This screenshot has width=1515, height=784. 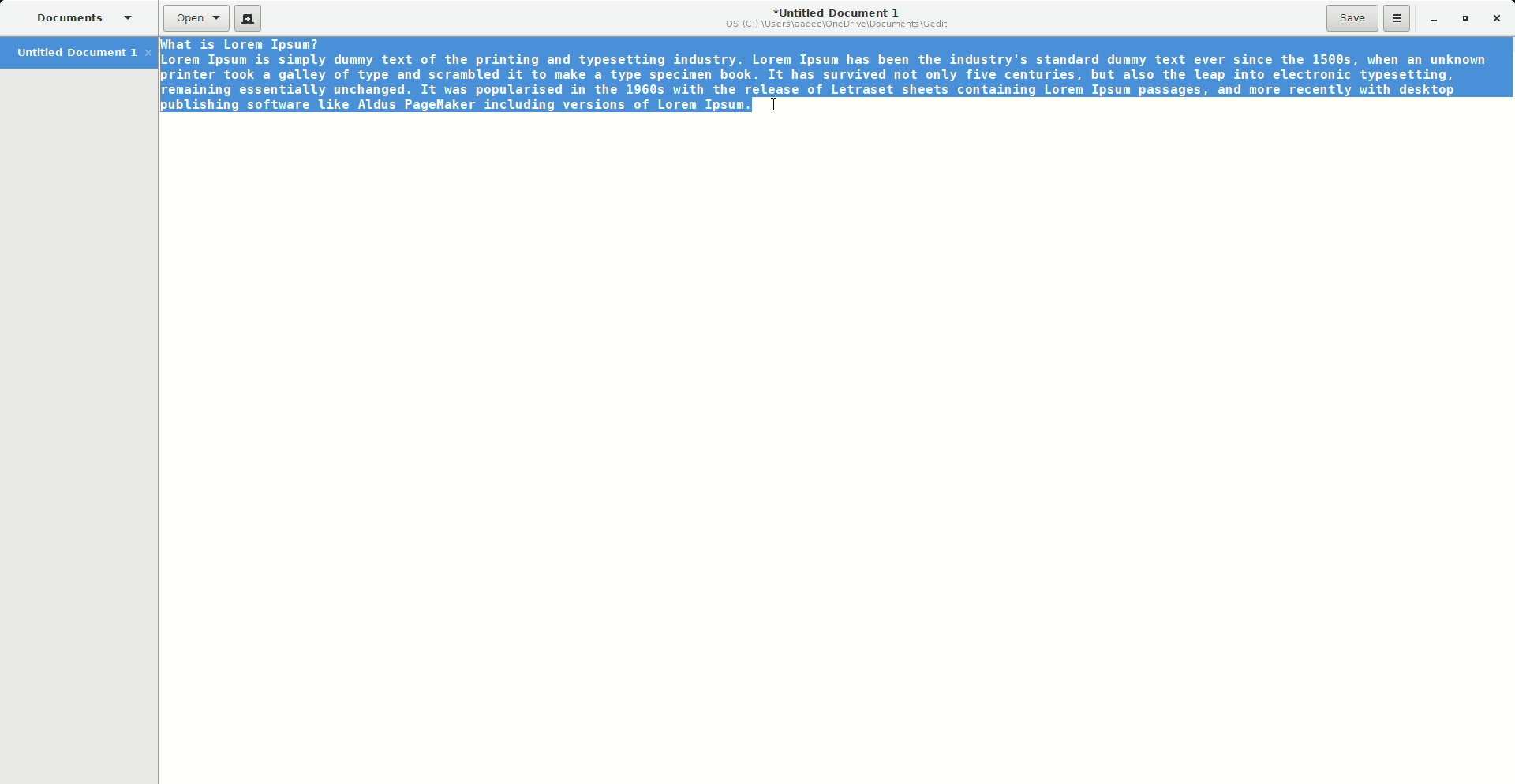 What do you see at coordinates (1497, 17) in the screenshot?
I see `Close` at bounding box center [1497, 17].